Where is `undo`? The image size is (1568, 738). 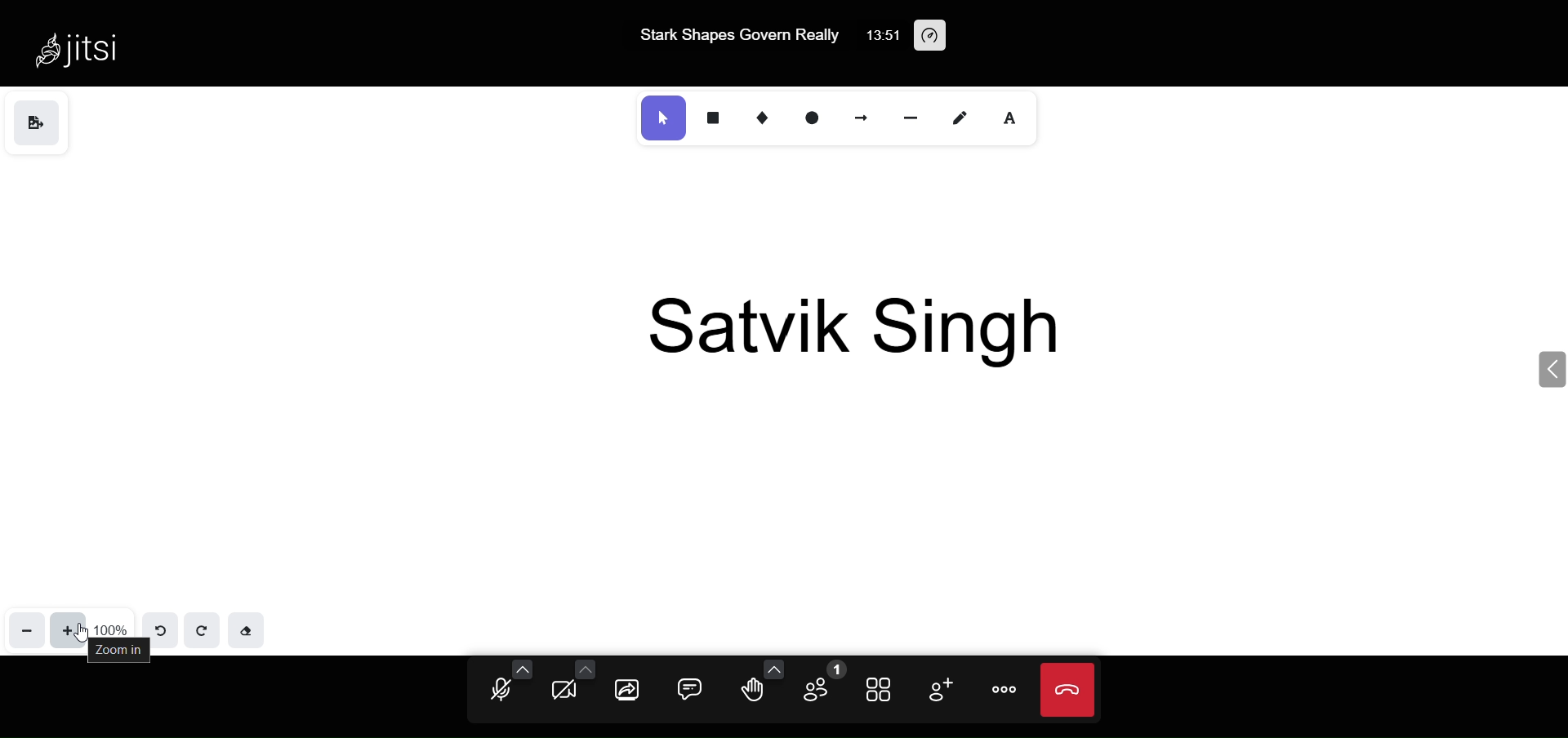 undo is located at coordinates (160, 625).